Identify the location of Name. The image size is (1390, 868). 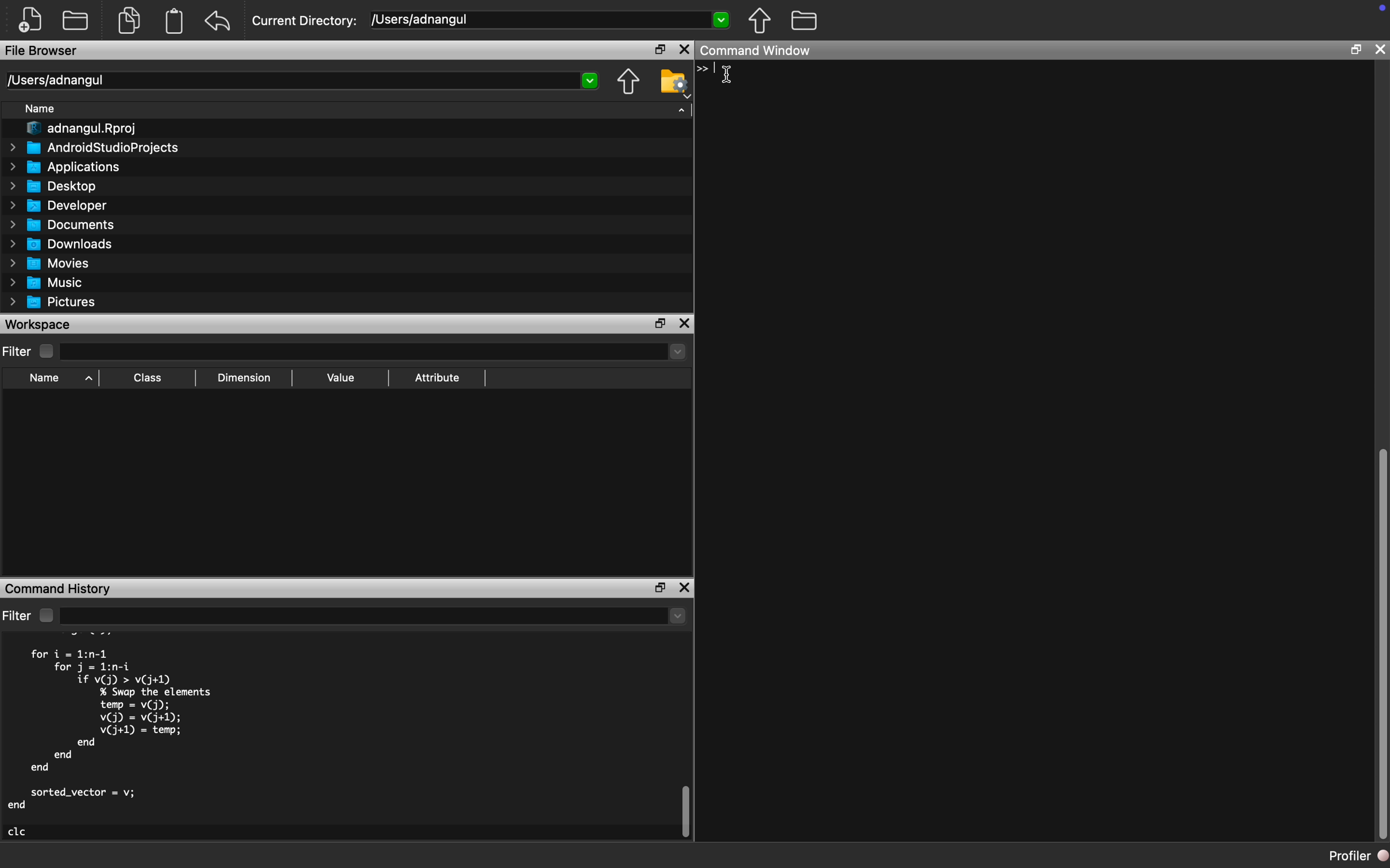
(39, 109).